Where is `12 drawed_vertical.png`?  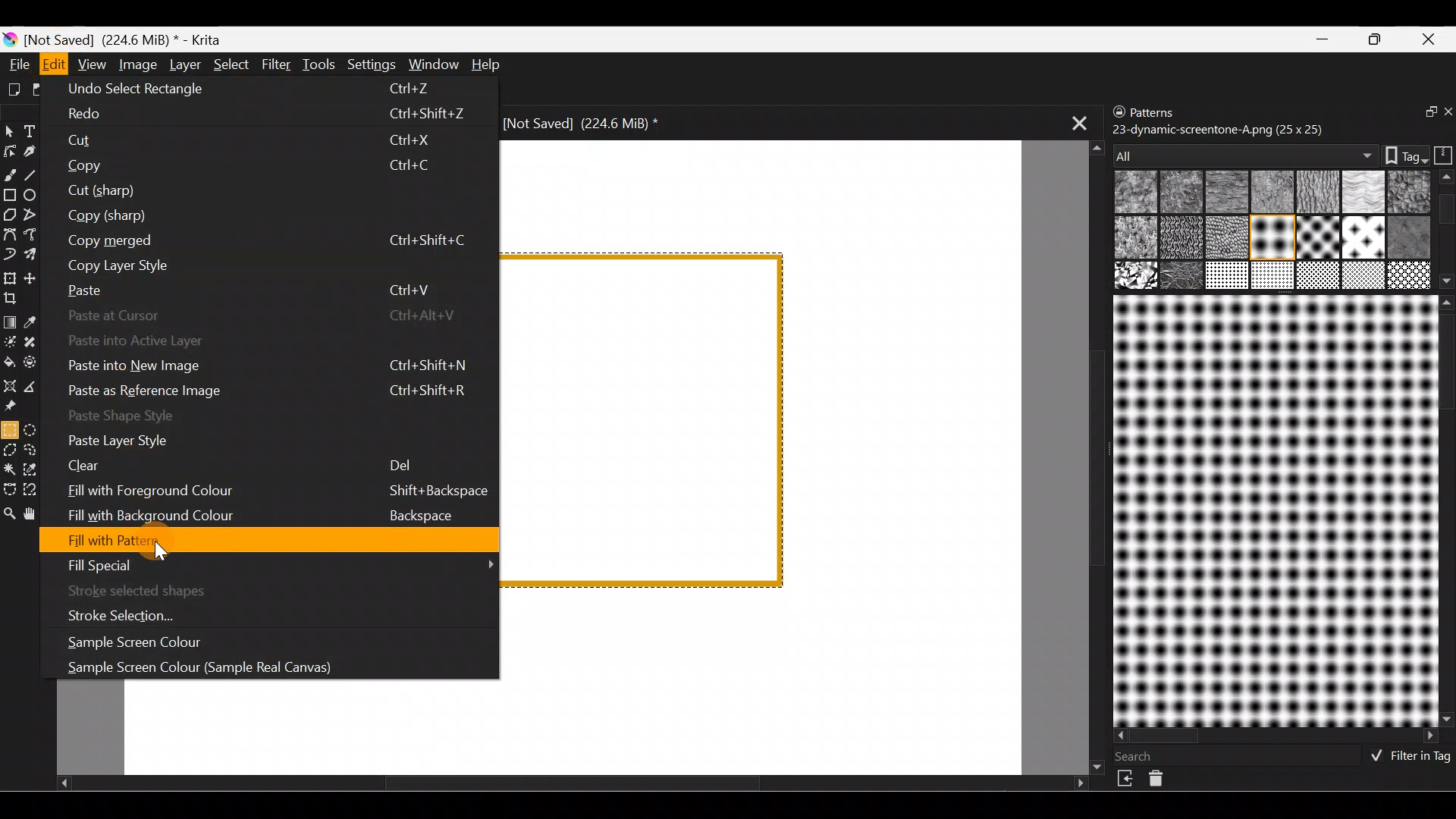 12 drawed_vertical.png is located at coordinates (1364, 238).